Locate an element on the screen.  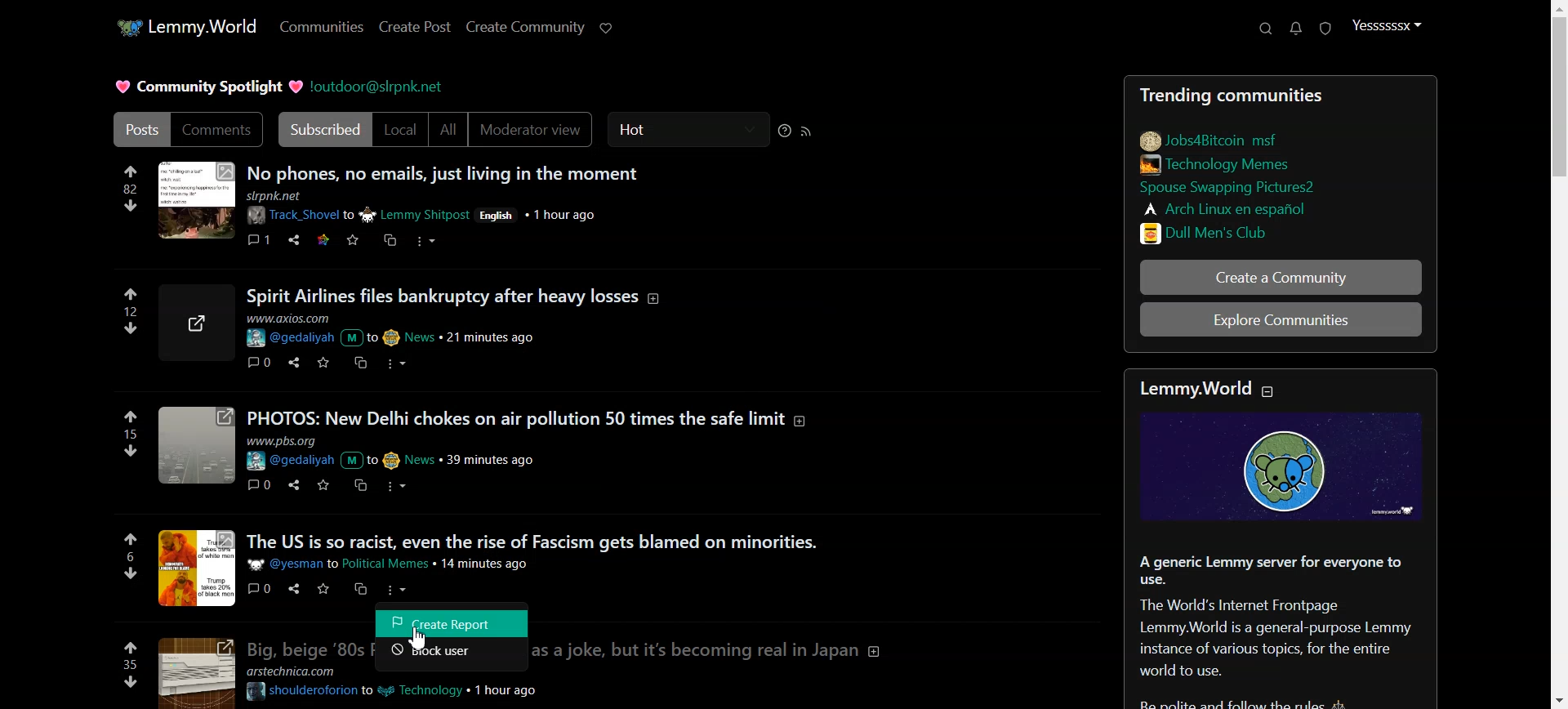
link is located at coordinates (1211, 138).